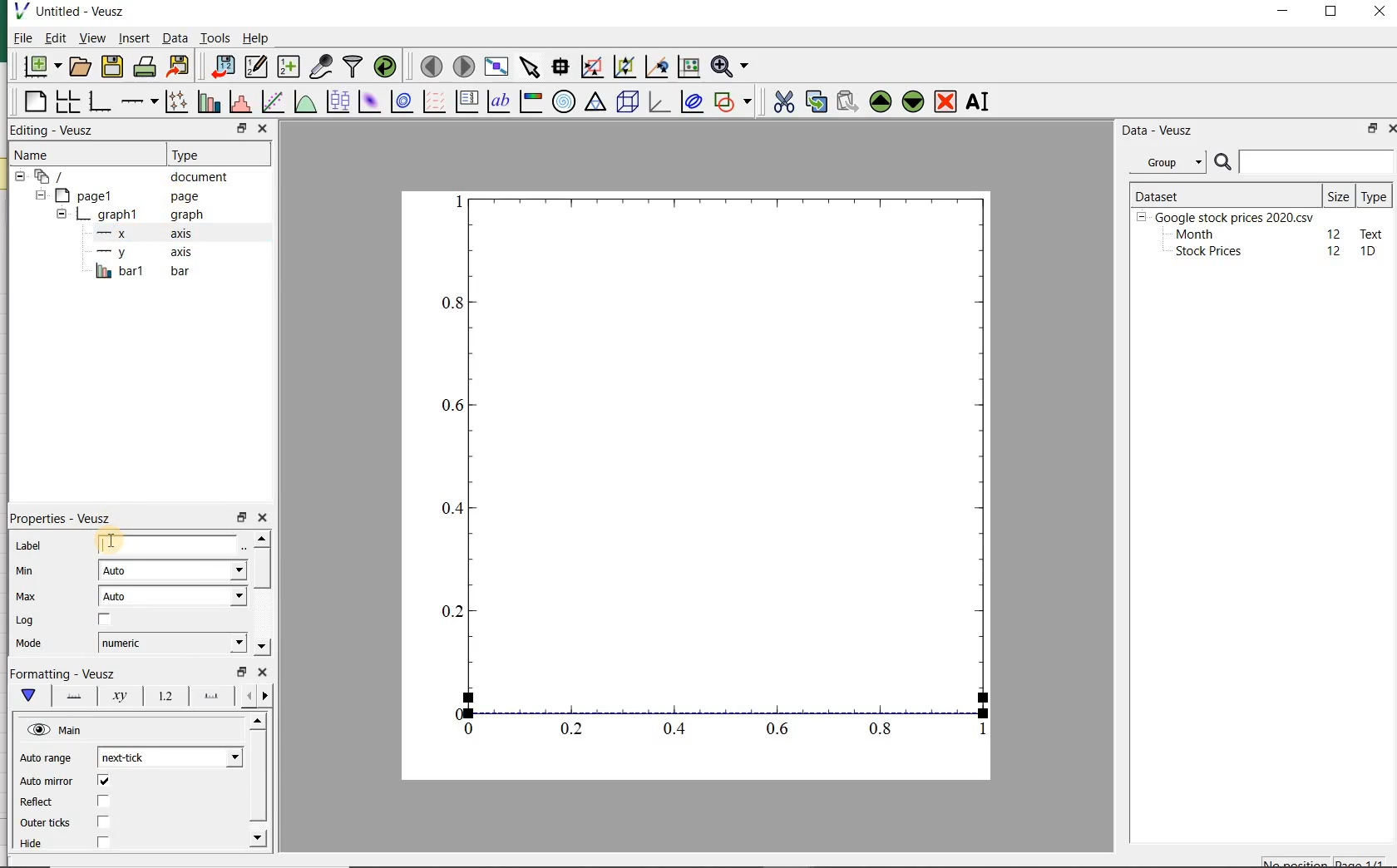  Describe the element at coordinates (1163, 162) in the screenshot. I see `Group datasets with property given` at that location.